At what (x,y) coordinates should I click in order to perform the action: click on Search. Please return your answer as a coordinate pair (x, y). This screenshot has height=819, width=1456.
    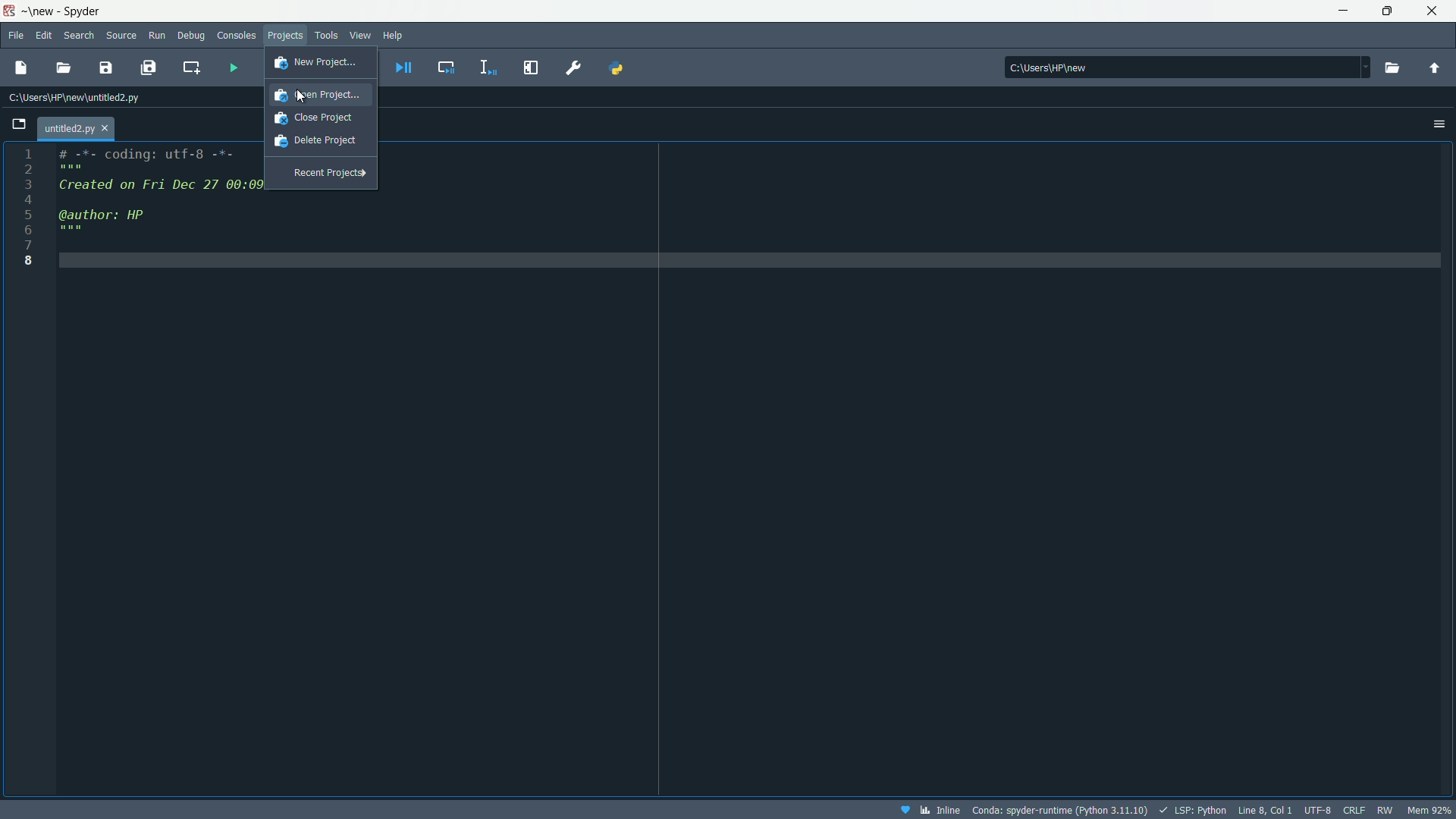
    Looking at the image, I should click on (80, 36).